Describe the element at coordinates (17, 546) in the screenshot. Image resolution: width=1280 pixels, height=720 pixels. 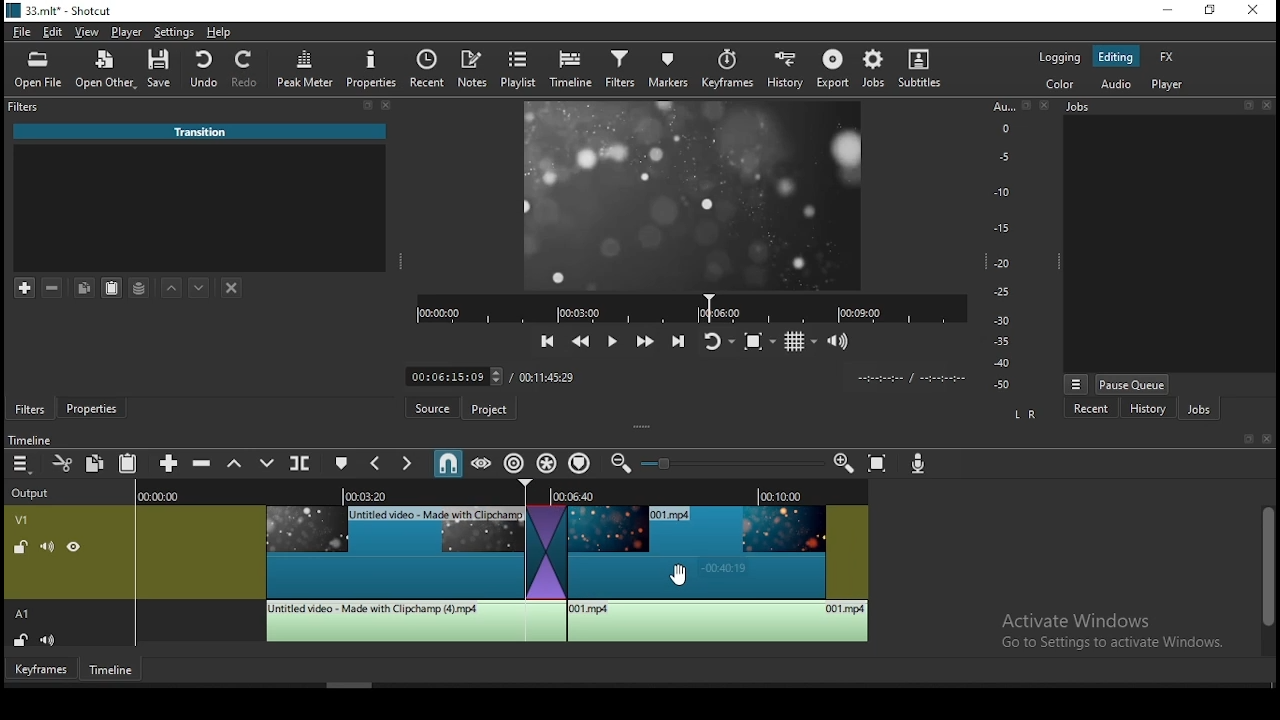
I see `*un)lock` at that location.